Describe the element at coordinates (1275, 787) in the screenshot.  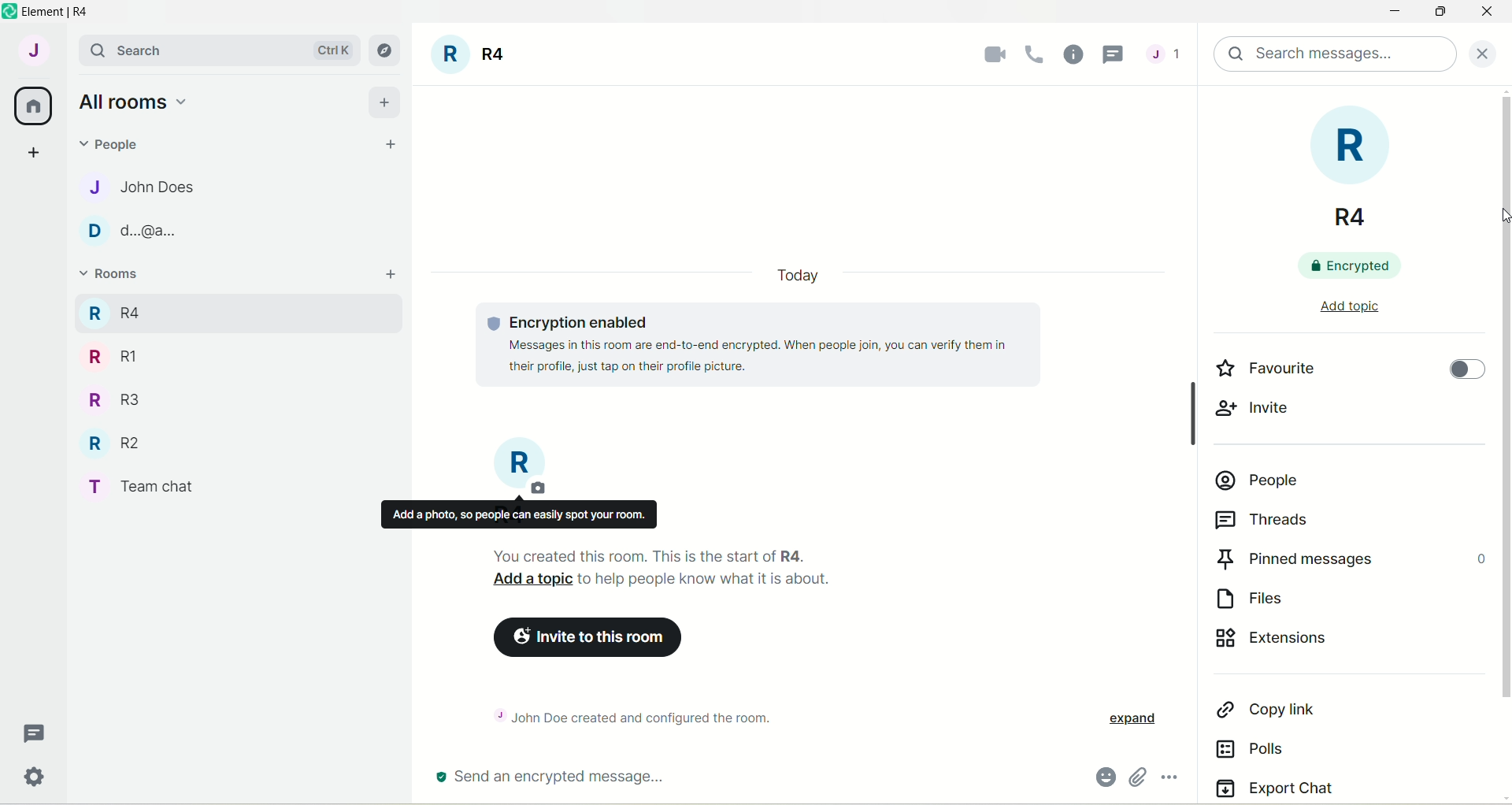
I see `export chat` at that location.